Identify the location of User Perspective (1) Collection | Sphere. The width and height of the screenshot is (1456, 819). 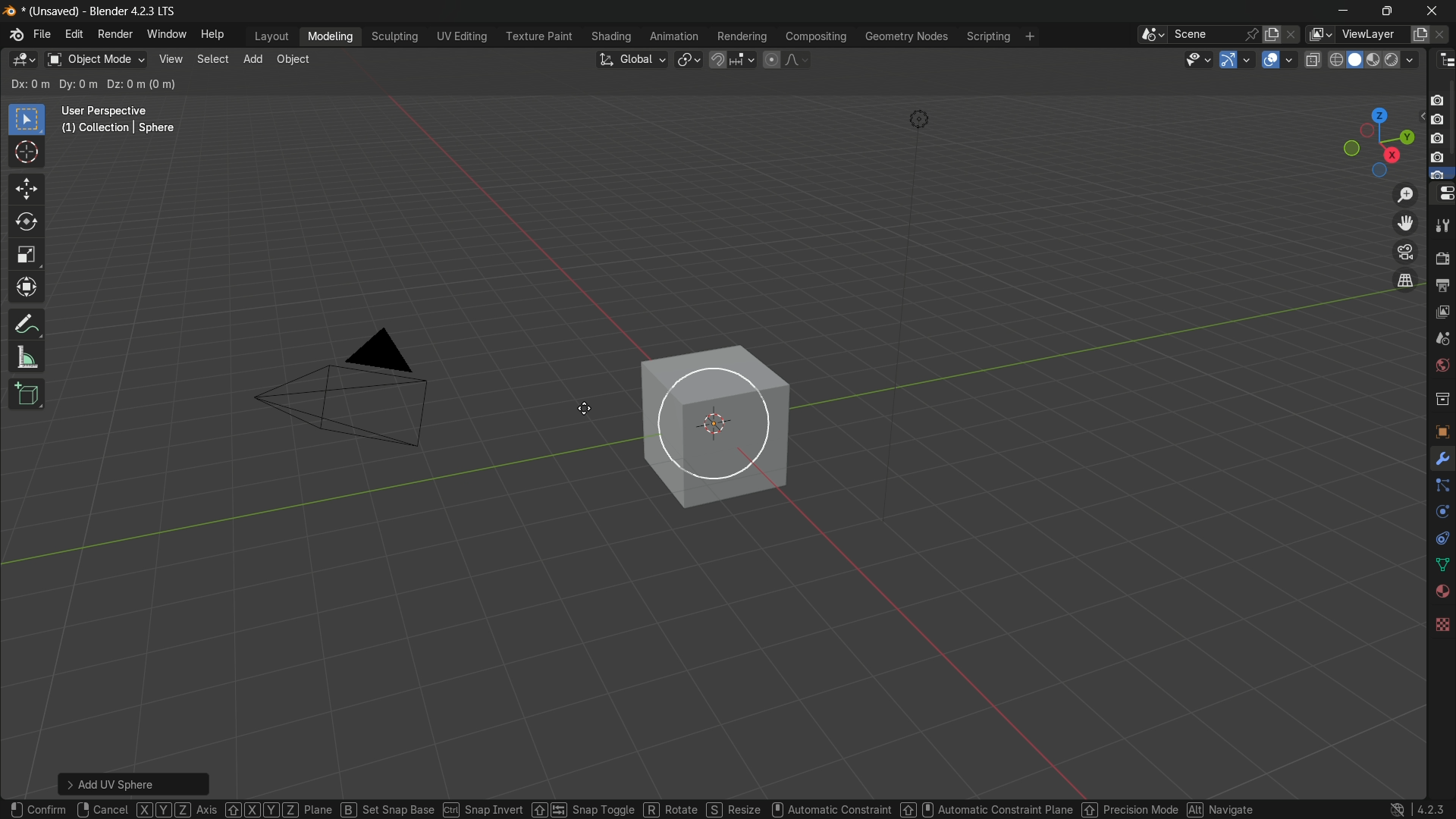
(118, 119).